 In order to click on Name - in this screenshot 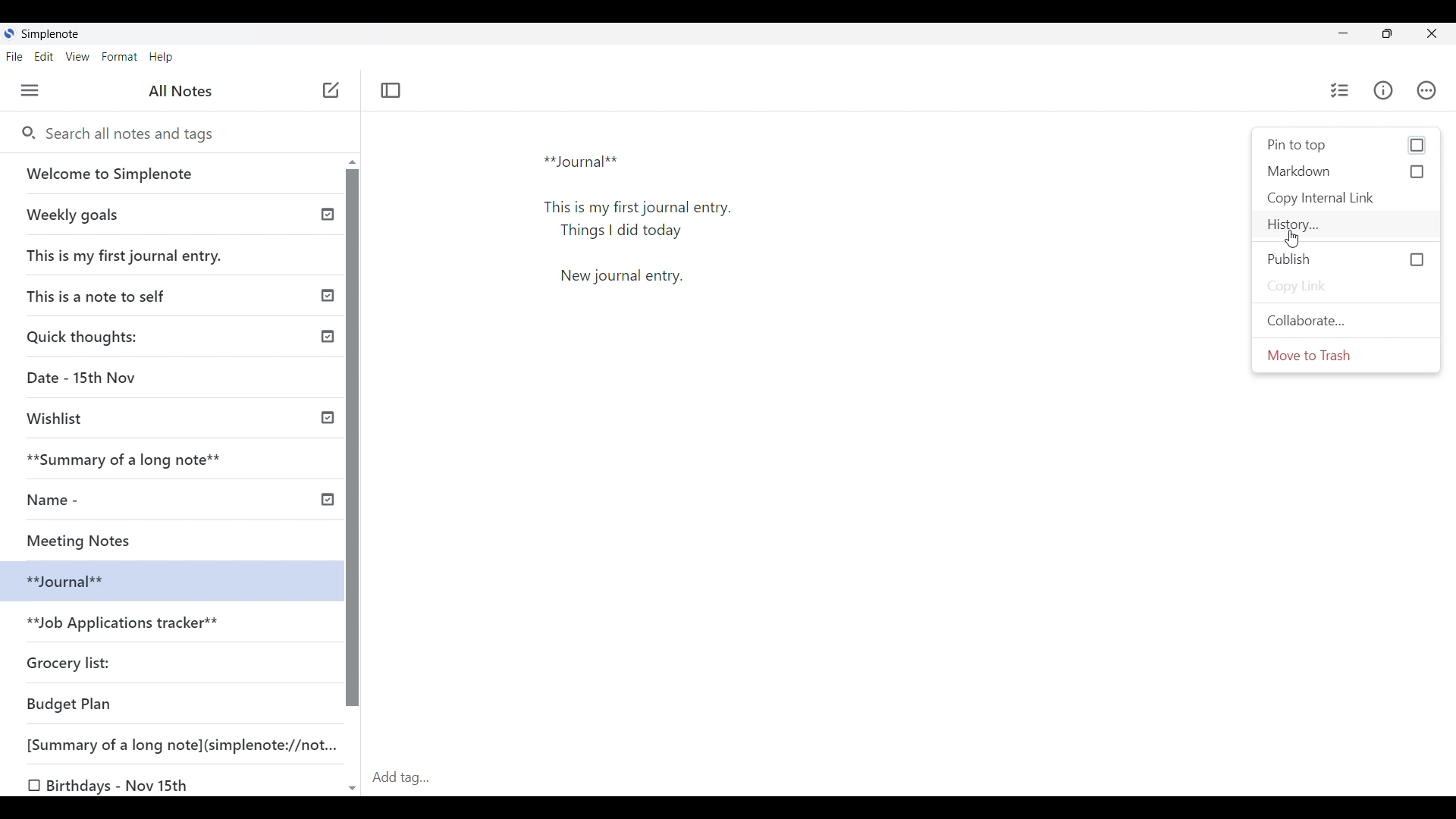, I will do `click(58, 500)`.